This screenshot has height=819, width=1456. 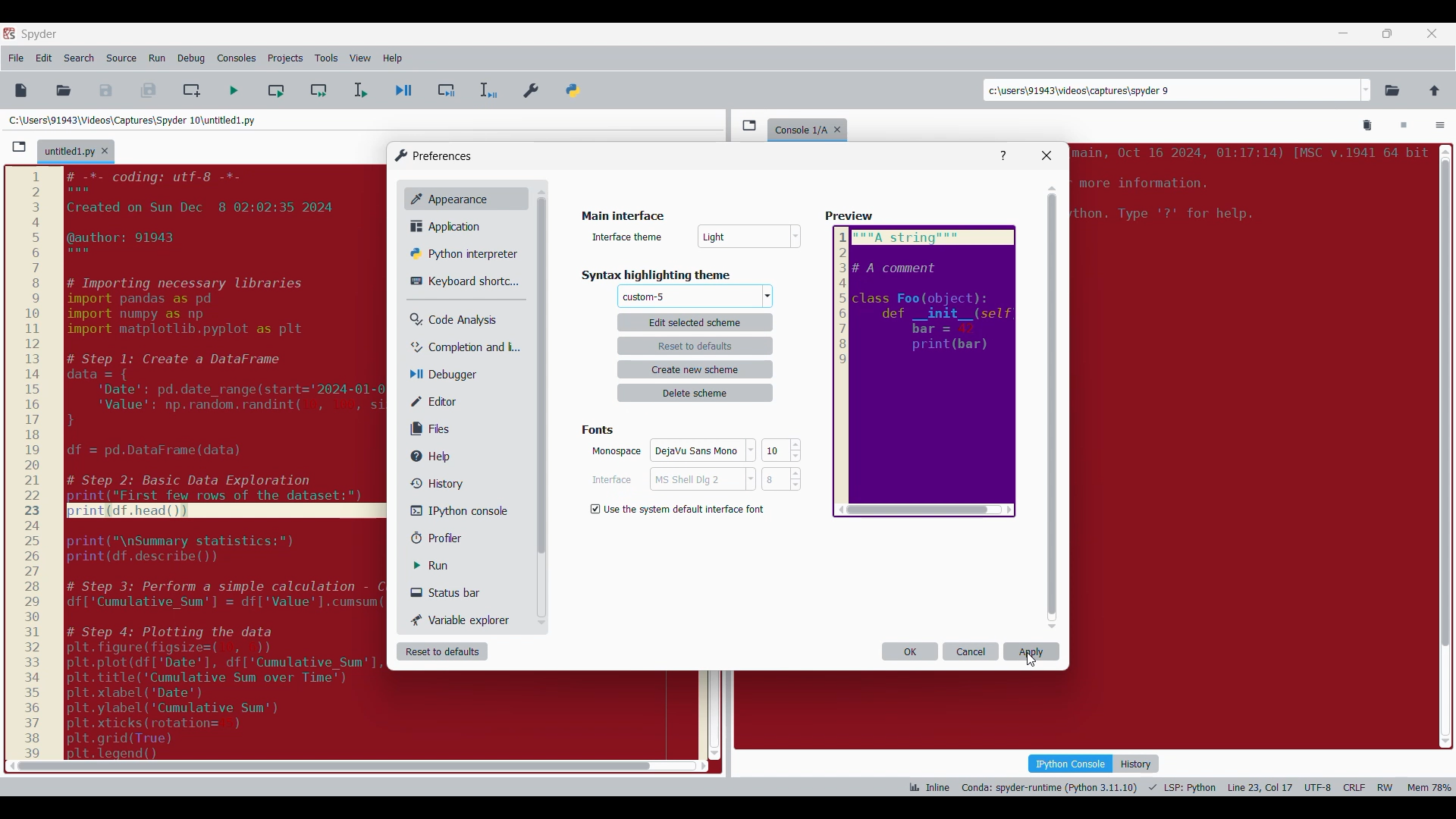 I want to click on Cancel, so click(x=971, y=651).